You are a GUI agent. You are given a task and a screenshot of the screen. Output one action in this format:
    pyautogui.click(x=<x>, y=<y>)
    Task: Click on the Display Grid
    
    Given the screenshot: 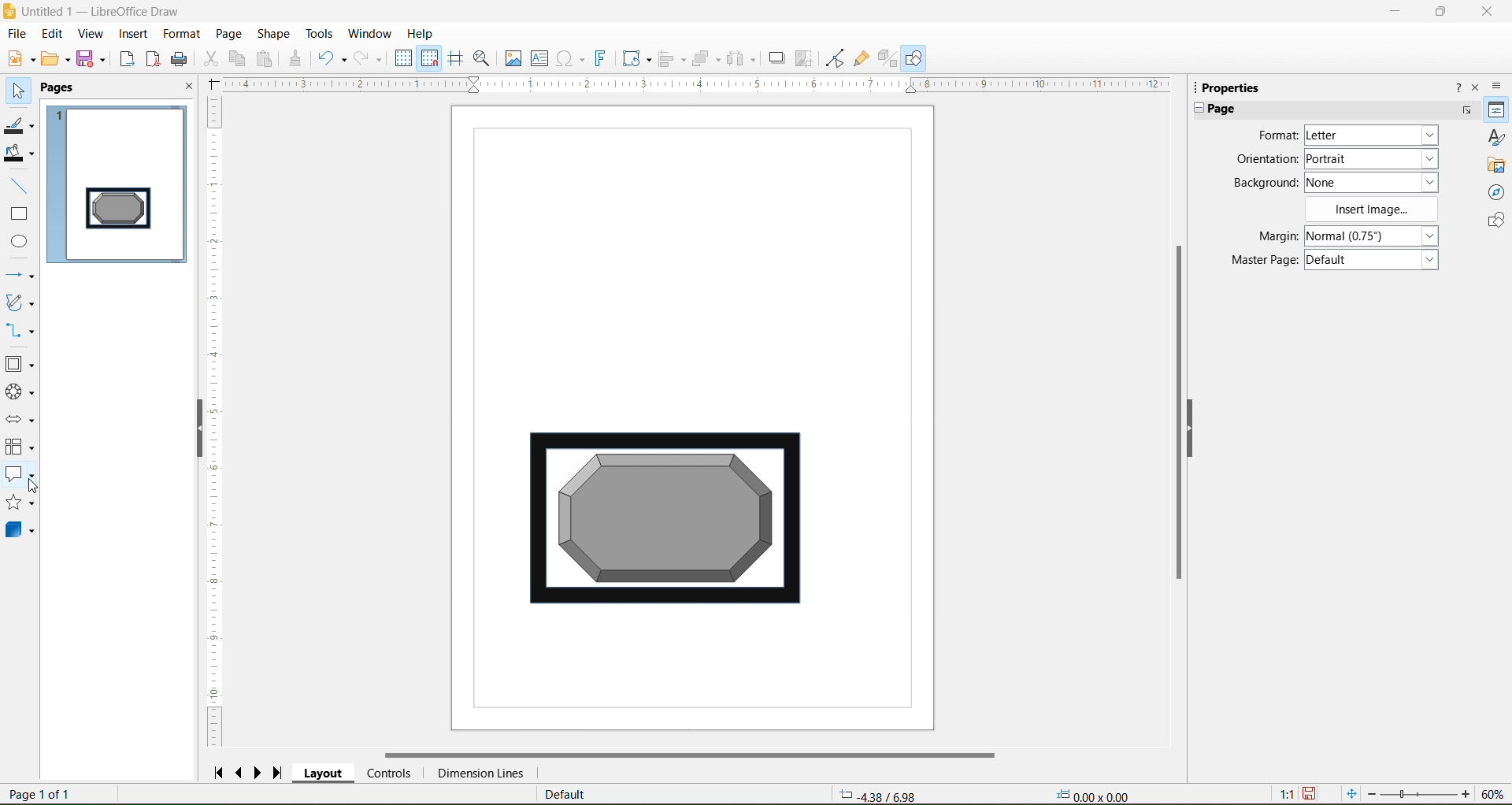 What is the action you would take?
    pyautogui.click(x=403, y=60)
    